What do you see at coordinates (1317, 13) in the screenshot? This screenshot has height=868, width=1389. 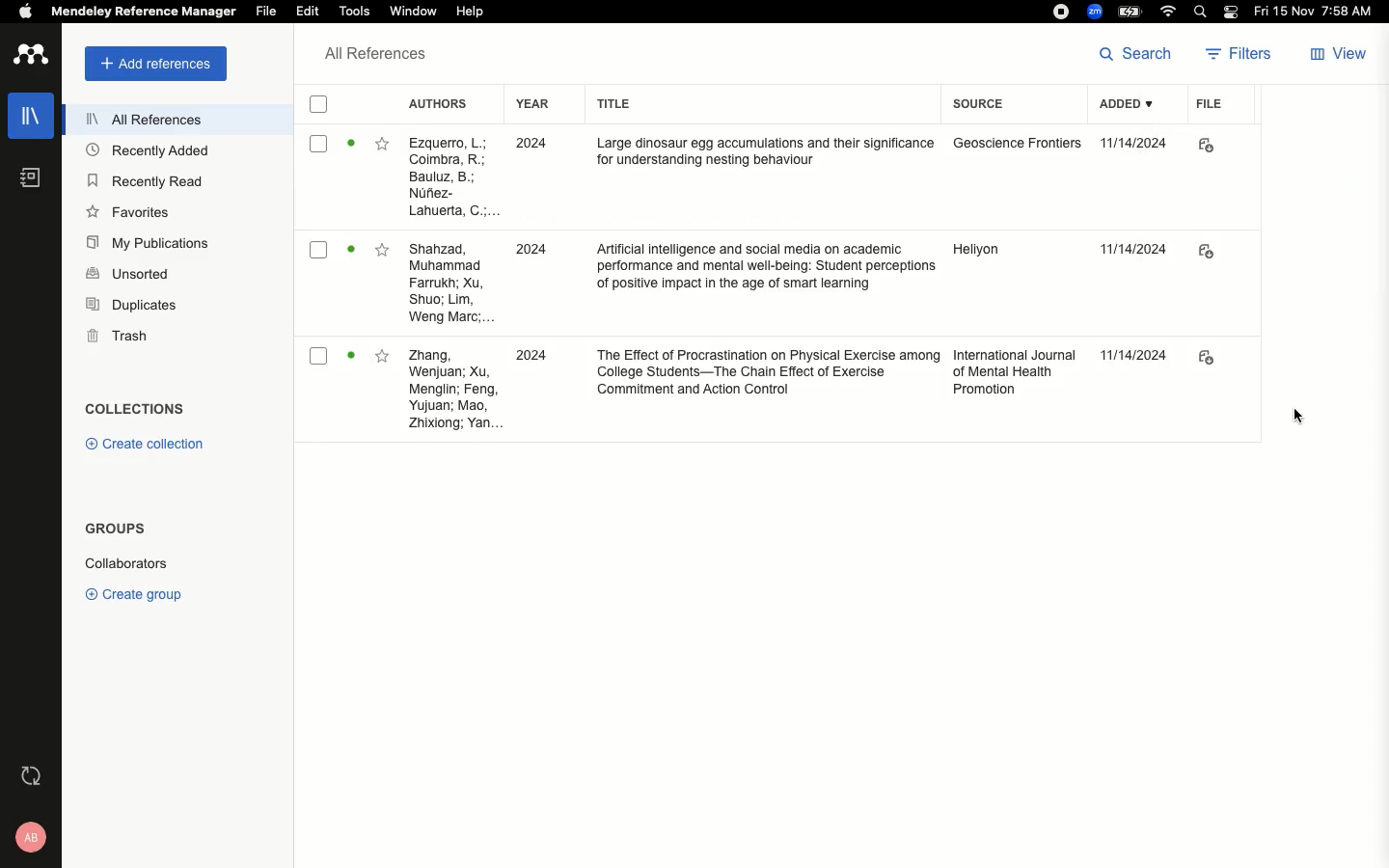 I see `Fri 15 nov 7:58 AM` at bounding box center [1317, 13].